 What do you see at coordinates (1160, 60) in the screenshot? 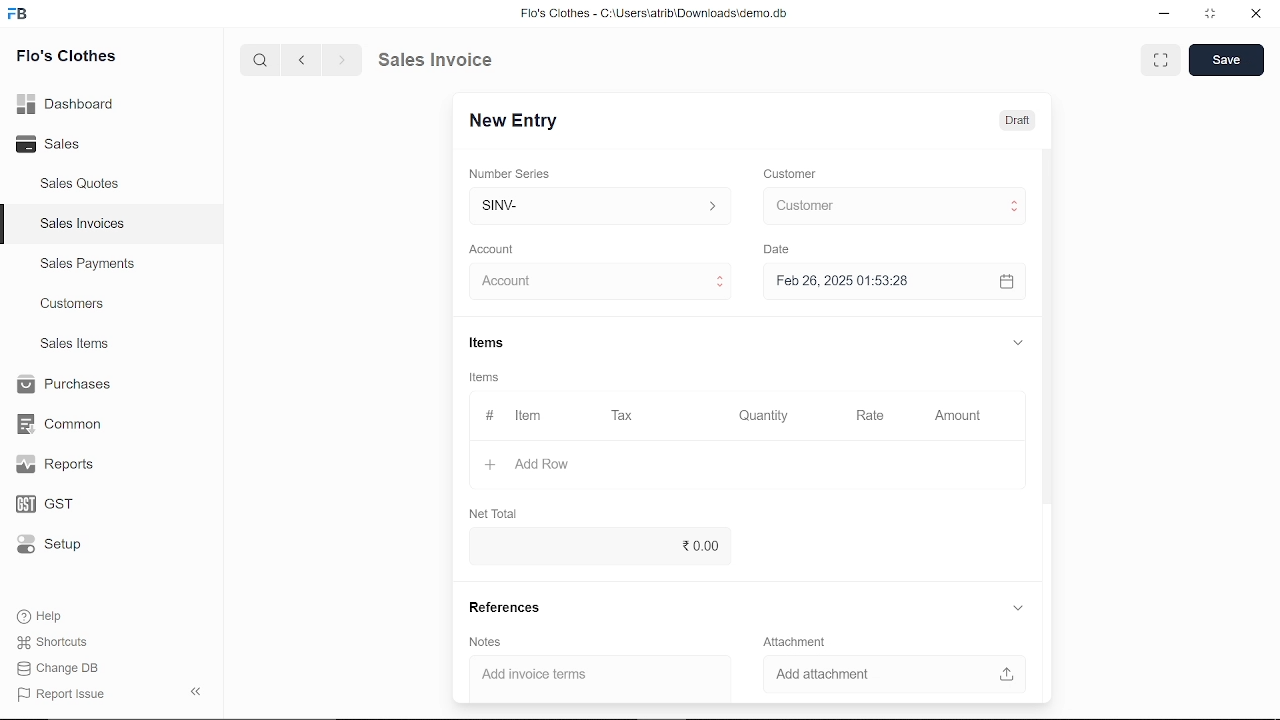
I see `full screen` at bounding box center [1160, 60].